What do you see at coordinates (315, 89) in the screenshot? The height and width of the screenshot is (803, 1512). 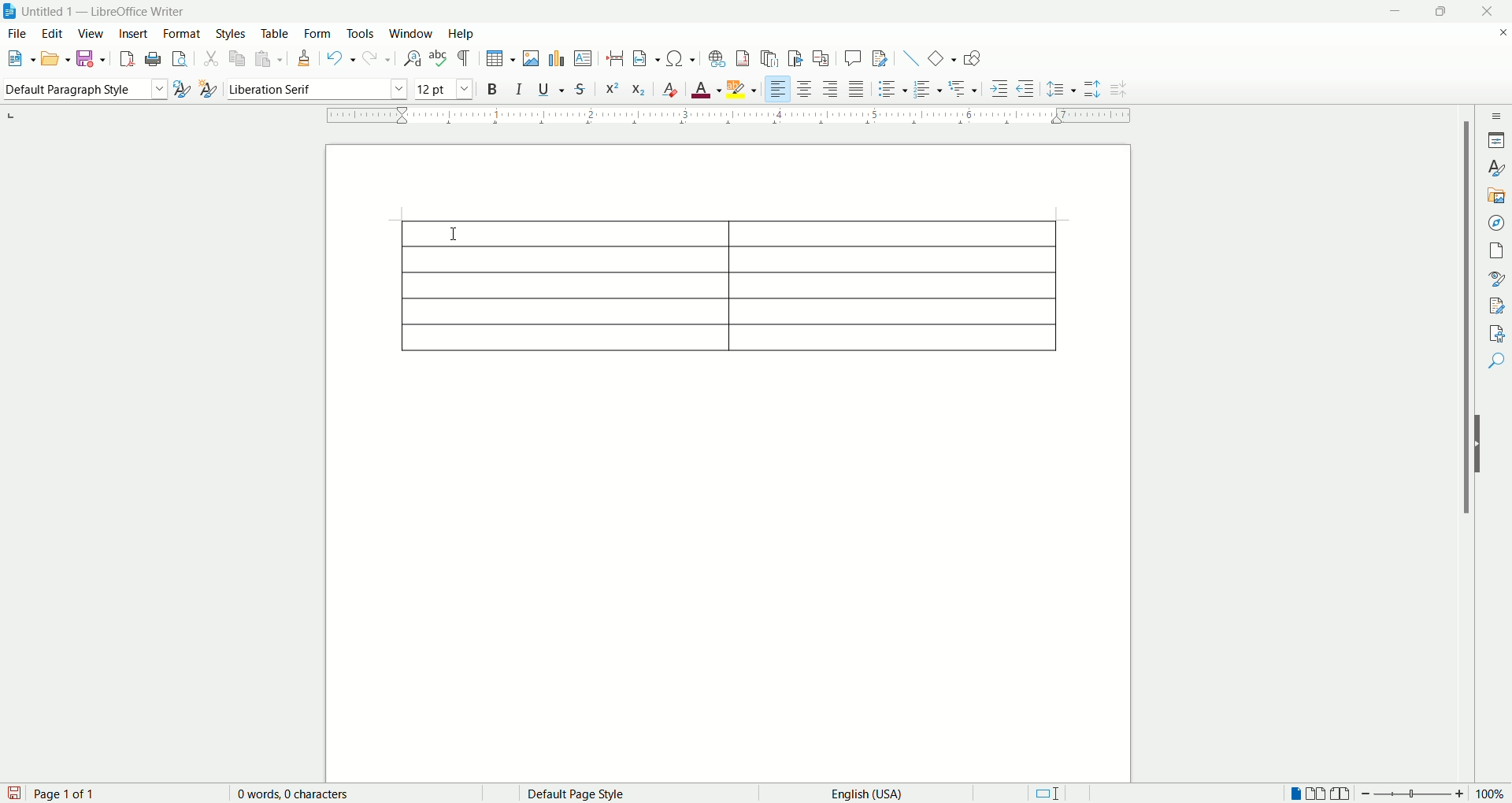 I see `font name` at bounding box center [315, 89].